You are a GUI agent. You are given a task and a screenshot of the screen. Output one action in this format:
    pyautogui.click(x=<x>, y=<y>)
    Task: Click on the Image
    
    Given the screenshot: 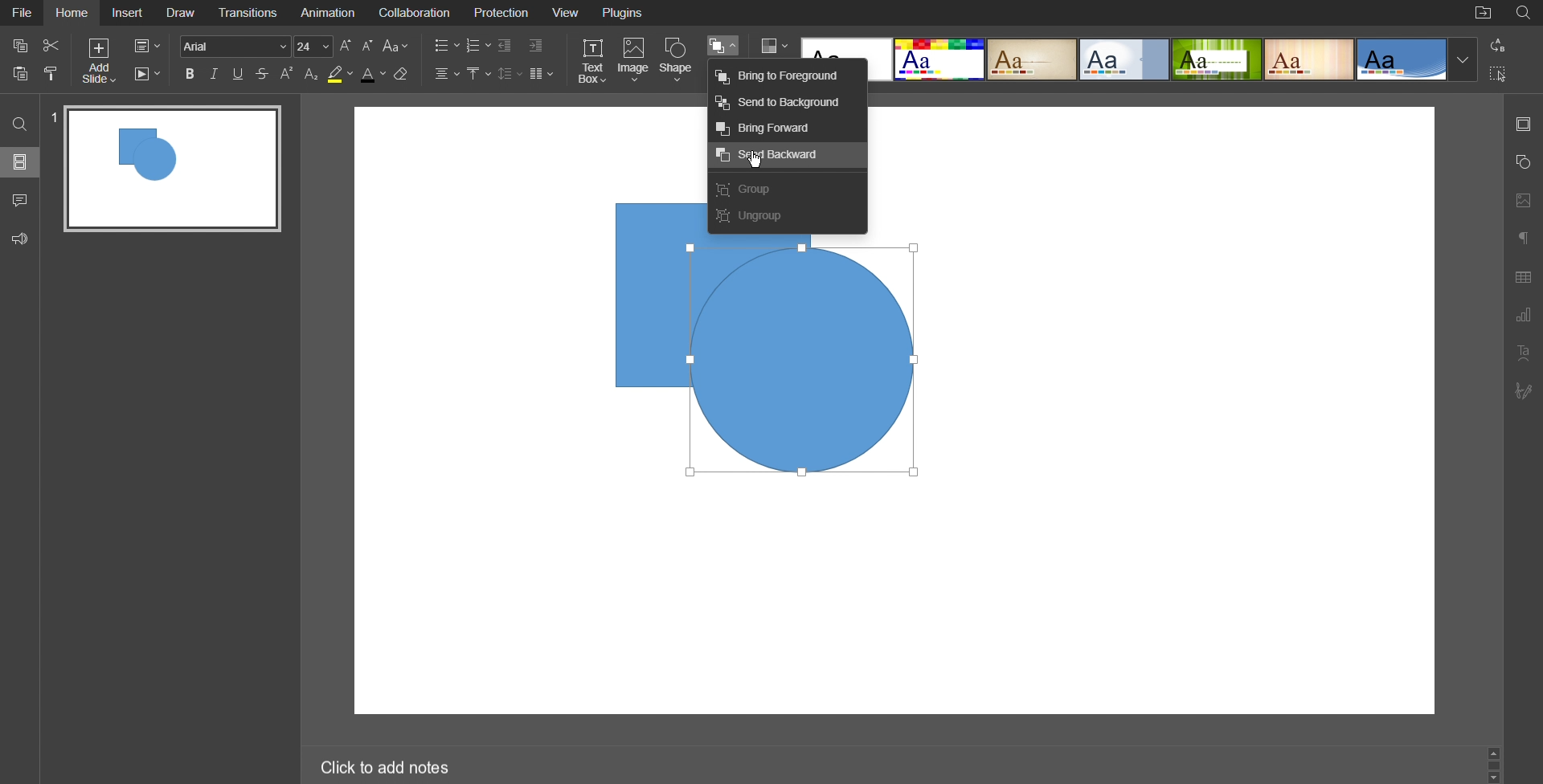 What is the action you would take?
    pyautogui.click(x=633, y=62)
    